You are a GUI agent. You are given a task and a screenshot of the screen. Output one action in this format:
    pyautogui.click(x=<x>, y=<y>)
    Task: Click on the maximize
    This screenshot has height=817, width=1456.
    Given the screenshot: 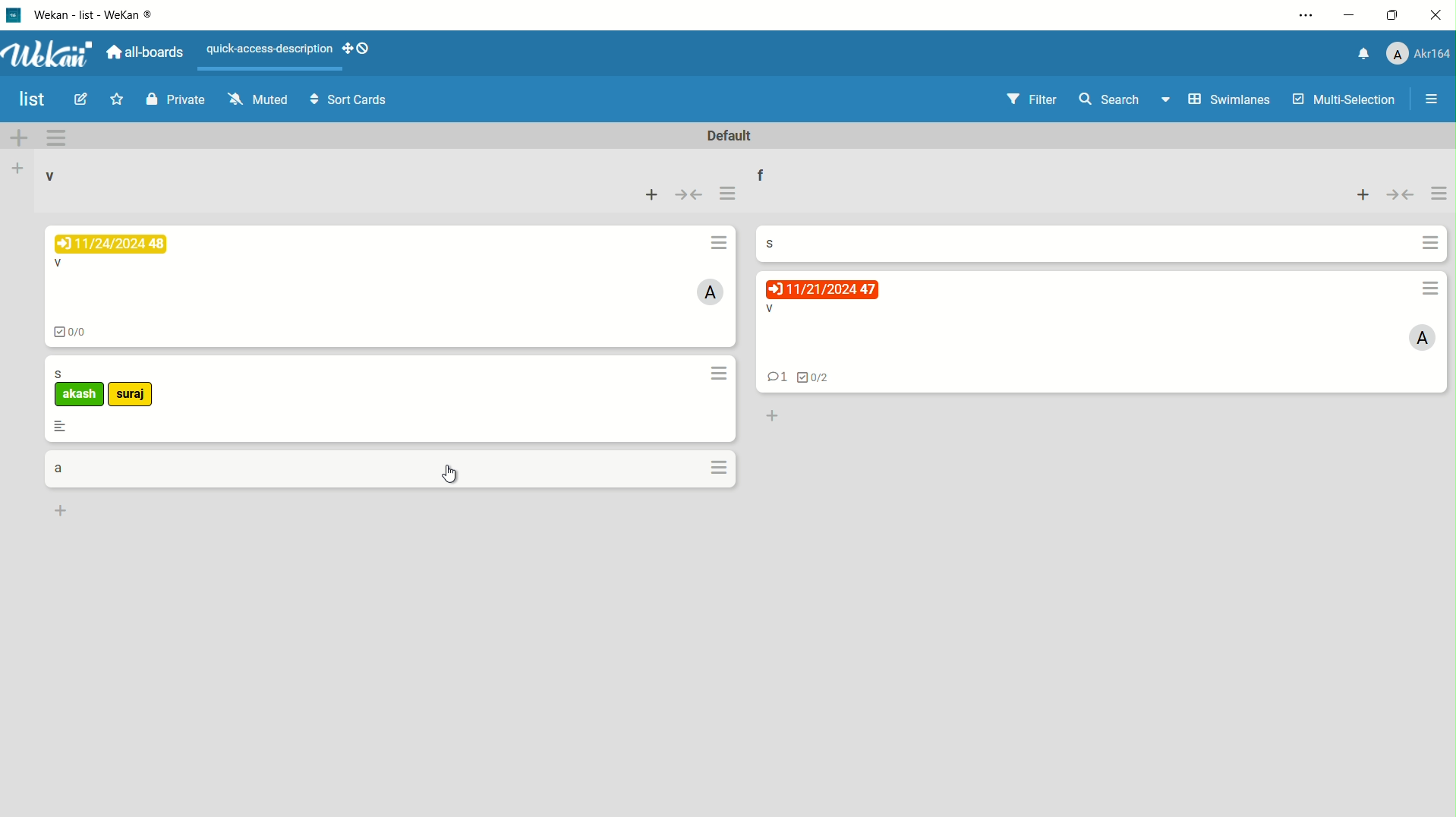 What is the action you would take?
    pyautogui.click(x=1395, y=18)
    